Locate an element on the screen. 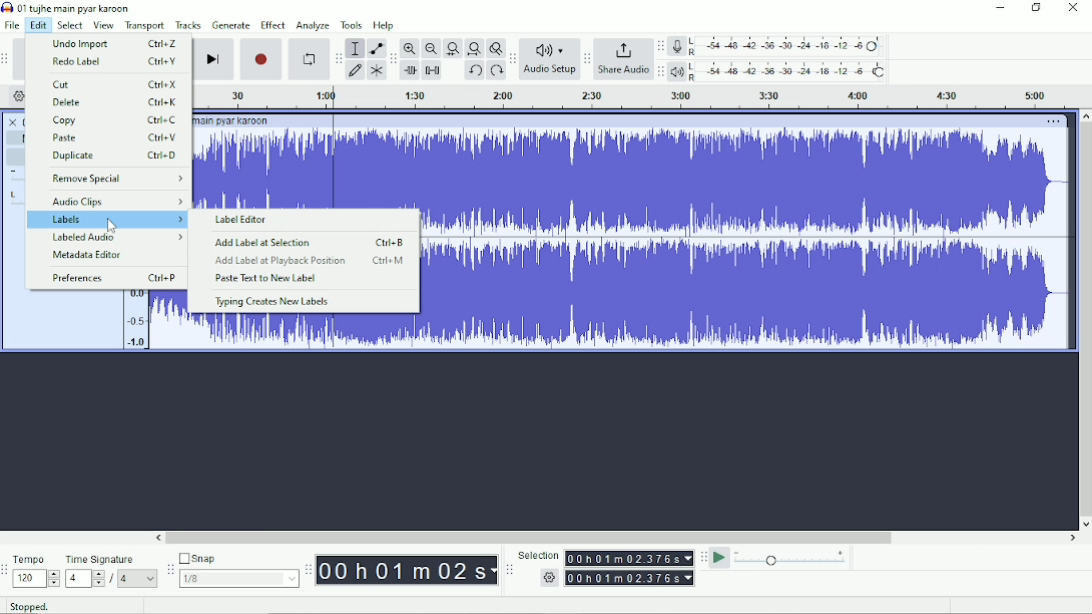 The image size is (1092, 614). Transport is located at coordinates (145, 25).